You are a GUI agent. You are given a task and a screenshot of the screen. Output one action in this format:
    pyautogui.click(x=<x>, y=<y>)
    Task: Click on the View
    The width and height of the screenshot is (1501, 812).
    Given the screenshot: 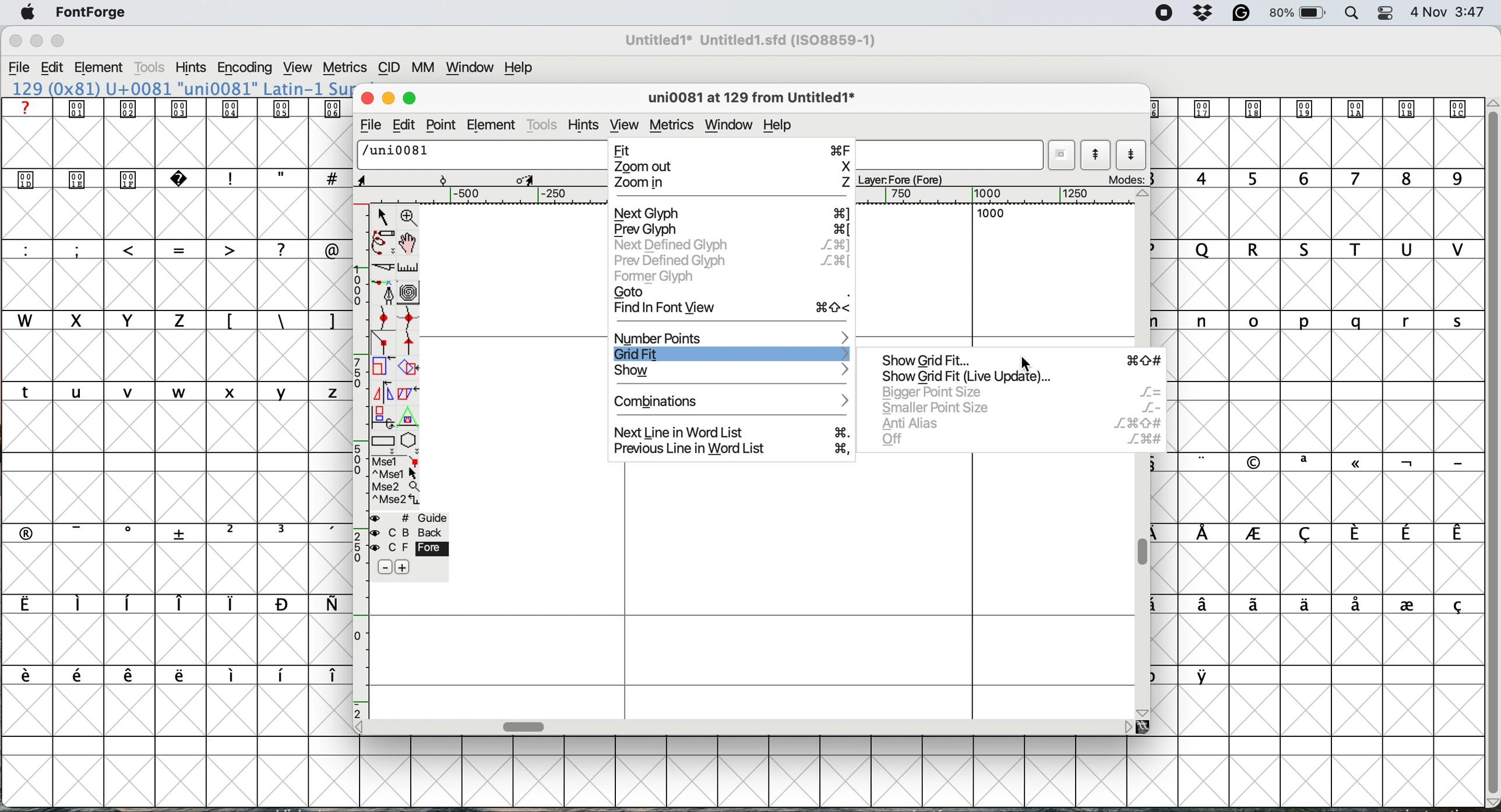 What is the action you would take?
    pyautogui.click(x=297, y=68)
    